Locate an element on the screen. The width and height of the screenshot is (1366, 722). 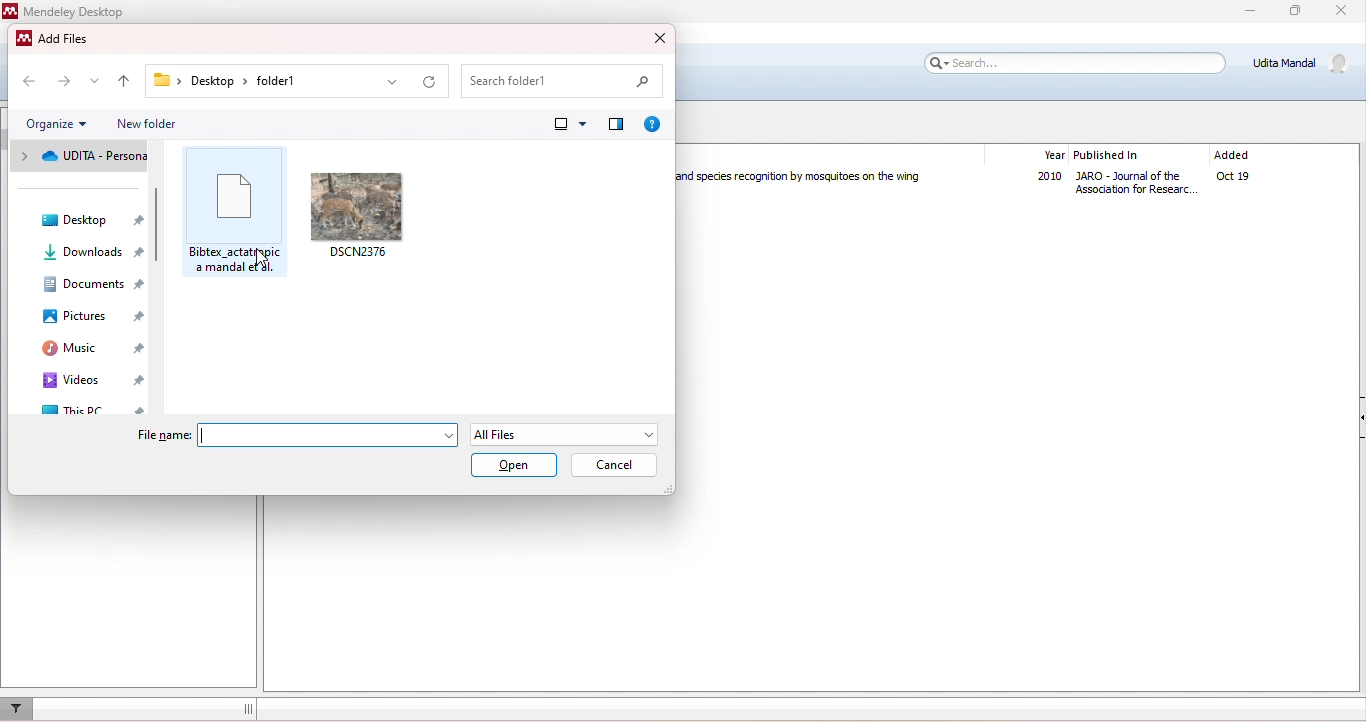
oct19 is located at coordinates (1232, 178).